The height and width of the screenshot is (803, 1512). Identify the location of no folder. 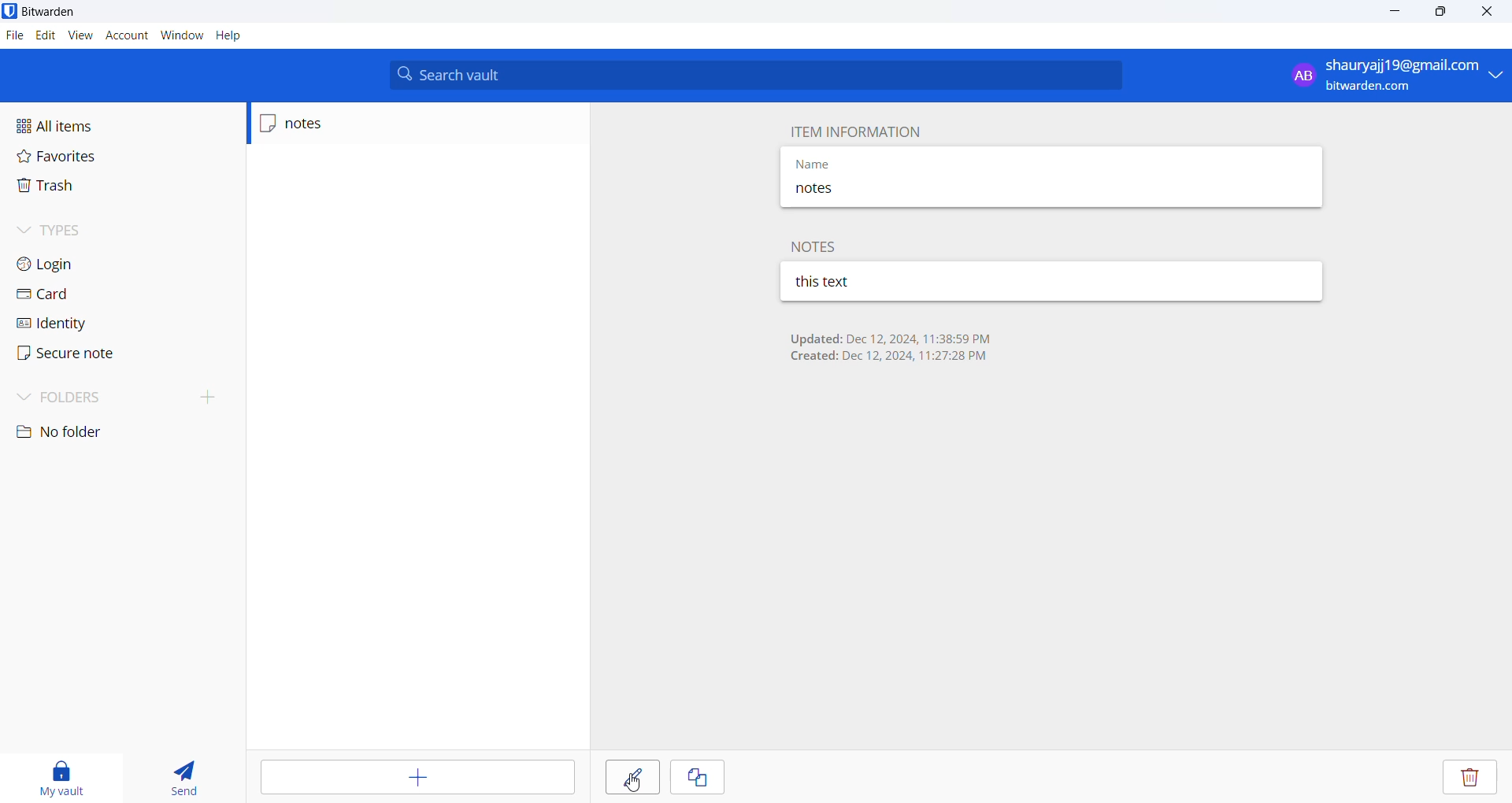
(76, 432).